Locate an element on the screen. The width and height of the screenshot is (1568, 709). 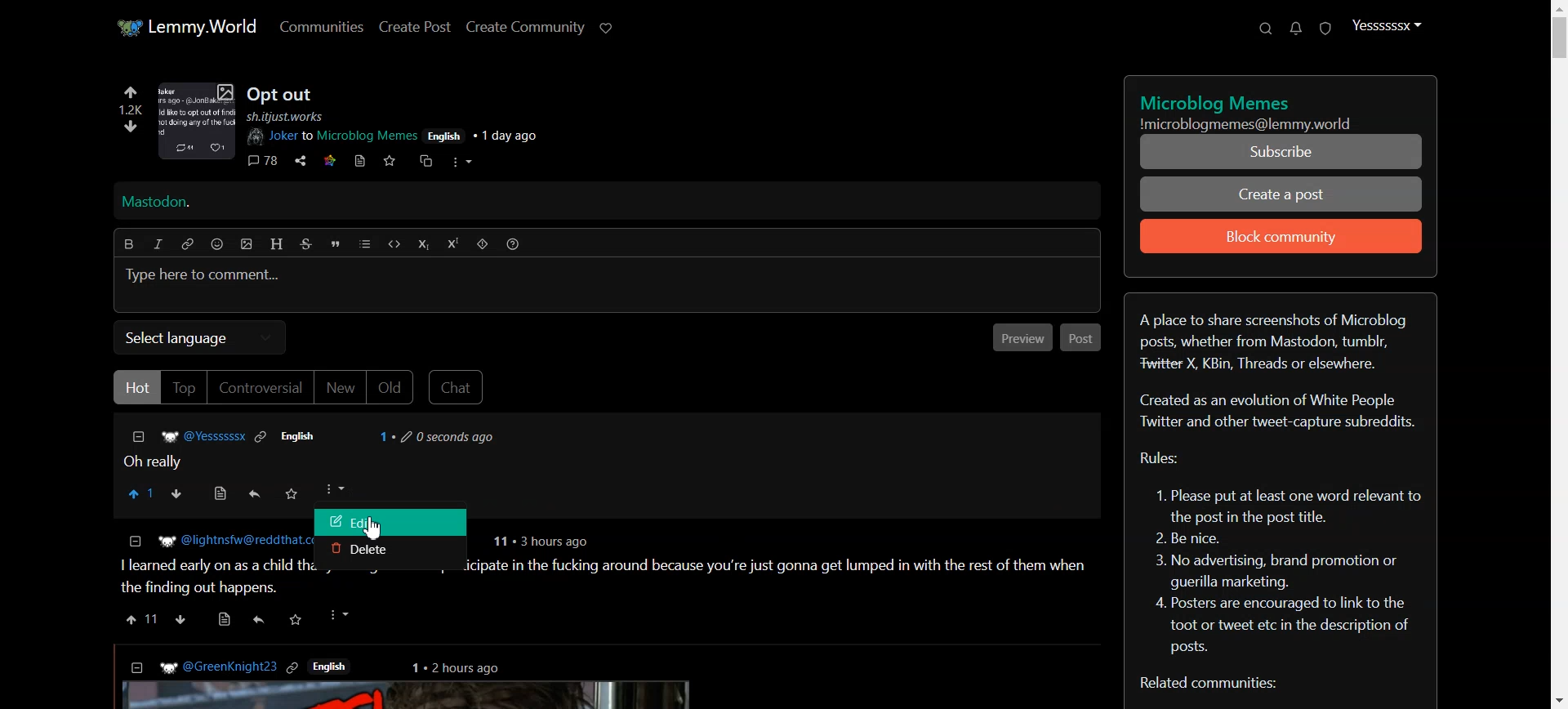
view is located at coordinates (224, 618).